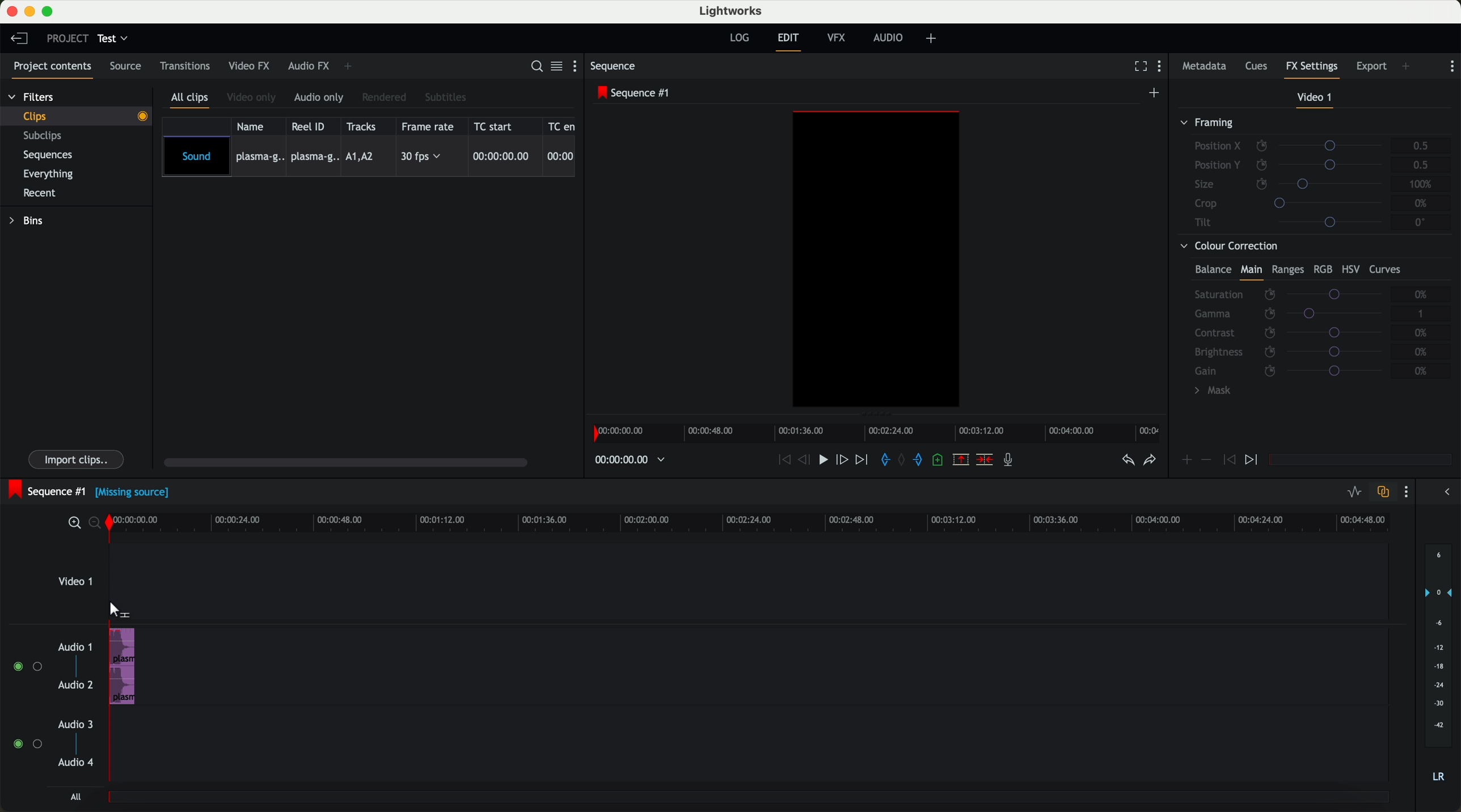 The height and width of the screenshot is (812, 1461). What do you see at coordinates (1155, 92) in the screenshot?
I see `create a new sequence` at bounding box center [1155, 92].